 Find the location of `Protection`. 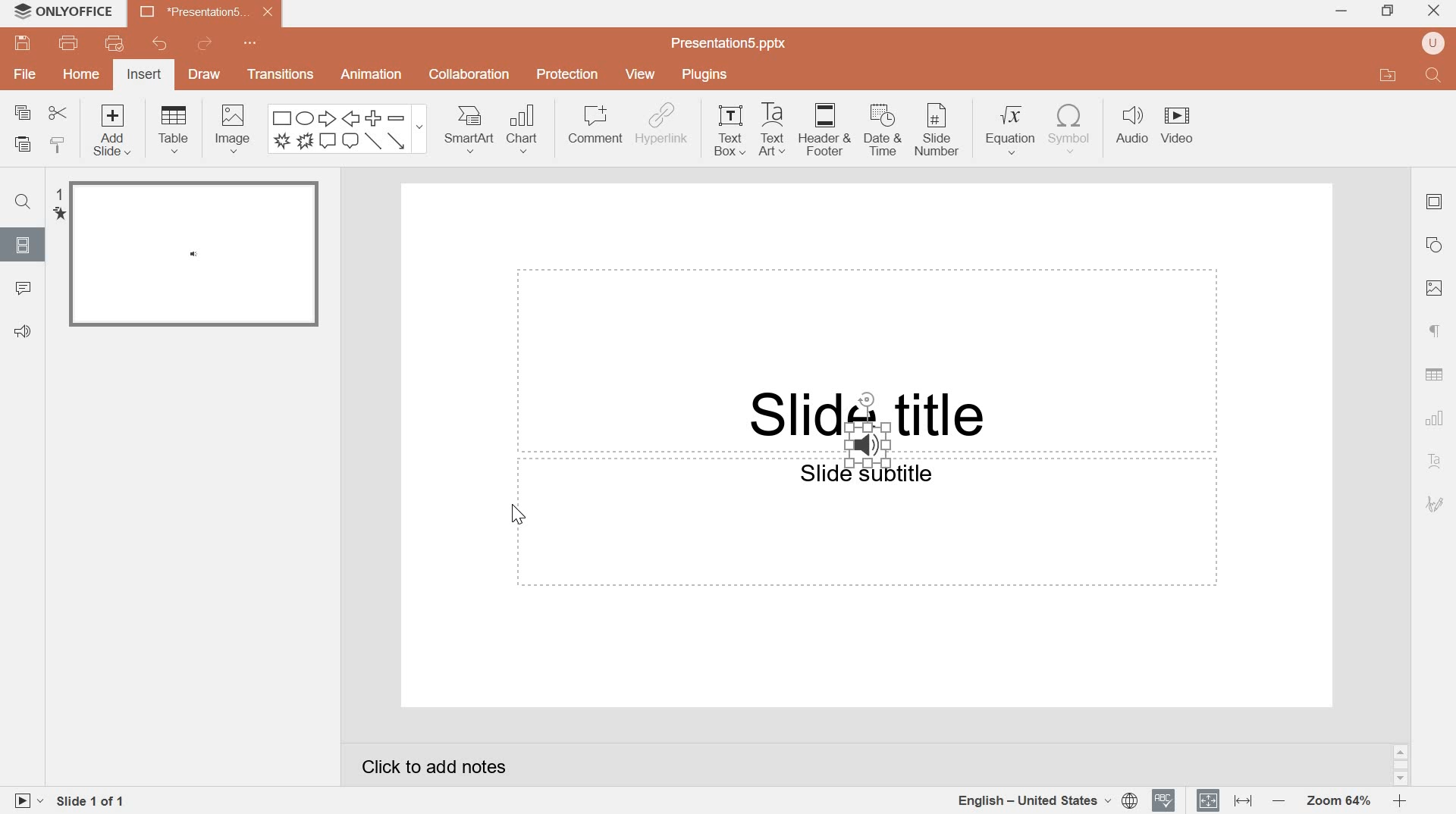

Protection is located at coordinates (569, 75).